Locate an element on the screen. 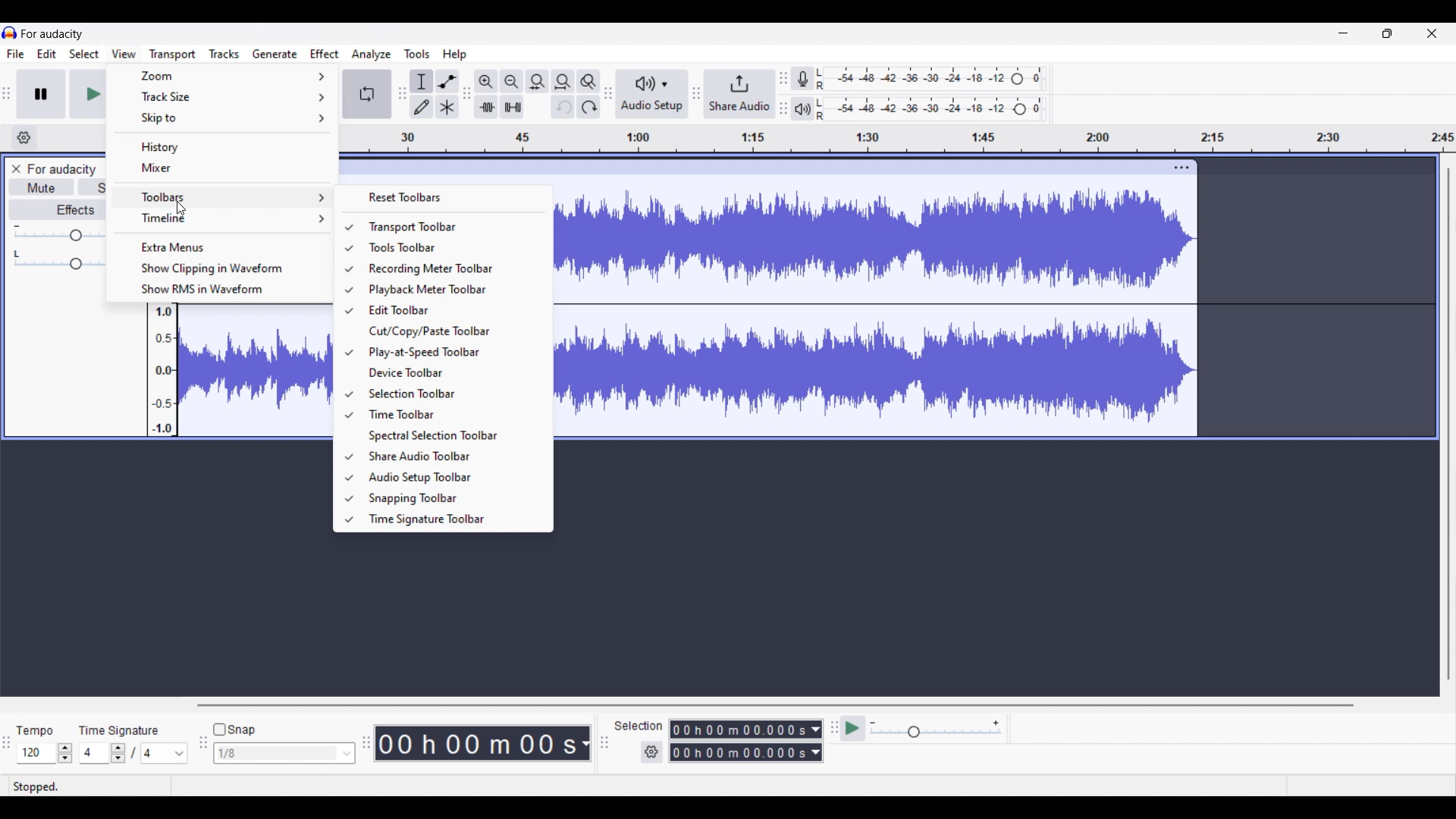  Help is located at coordinates (455, 55).